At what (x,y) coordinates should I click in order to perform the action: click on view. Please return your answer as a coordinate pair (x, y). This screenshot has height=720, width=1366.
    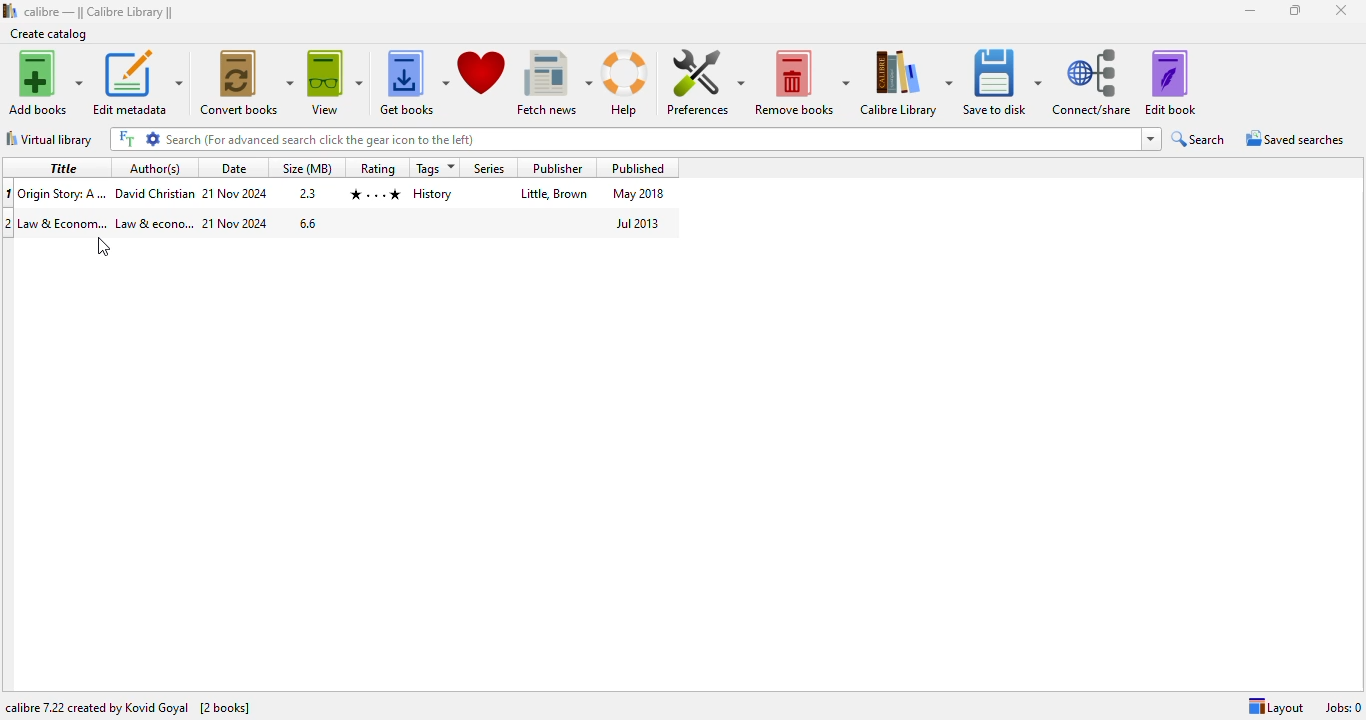
    Looking at the image, I should click on (334, 83).